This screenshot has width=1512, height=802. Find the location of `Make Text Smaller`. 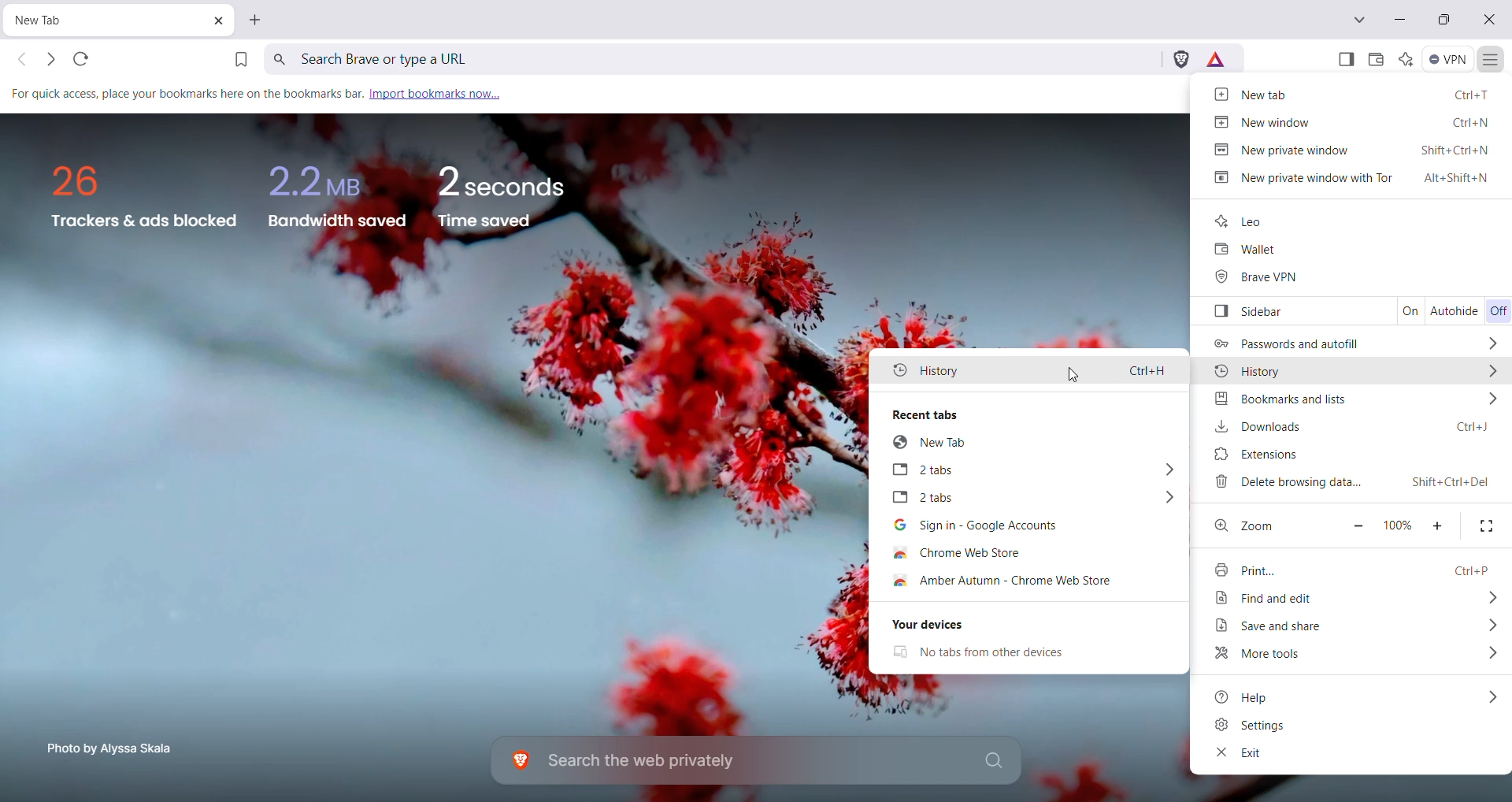

Make Text Smaller is located at coordinates (1353, 527).